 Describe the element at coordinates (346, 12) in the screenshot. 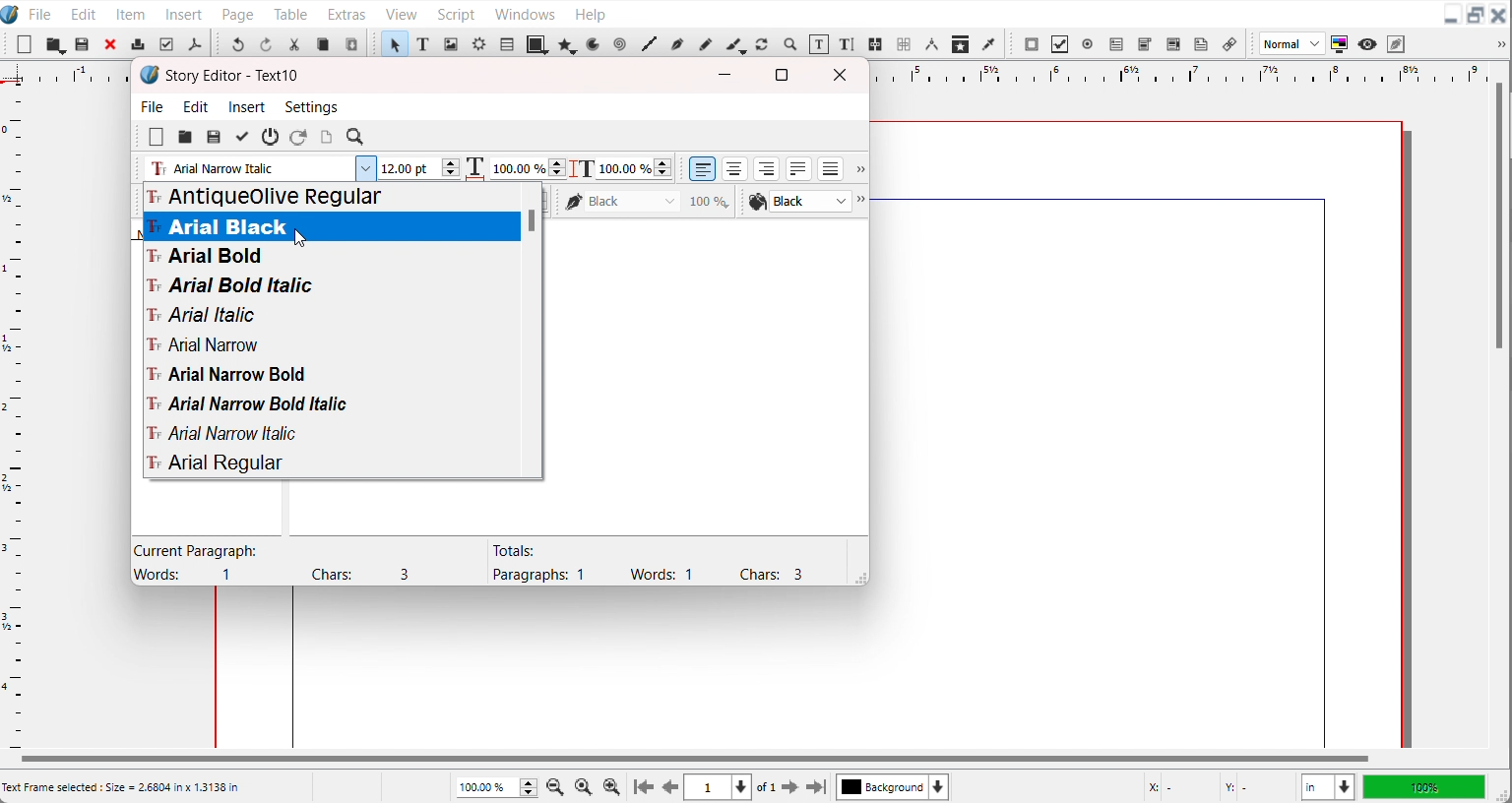

I see `Extras` at that location.